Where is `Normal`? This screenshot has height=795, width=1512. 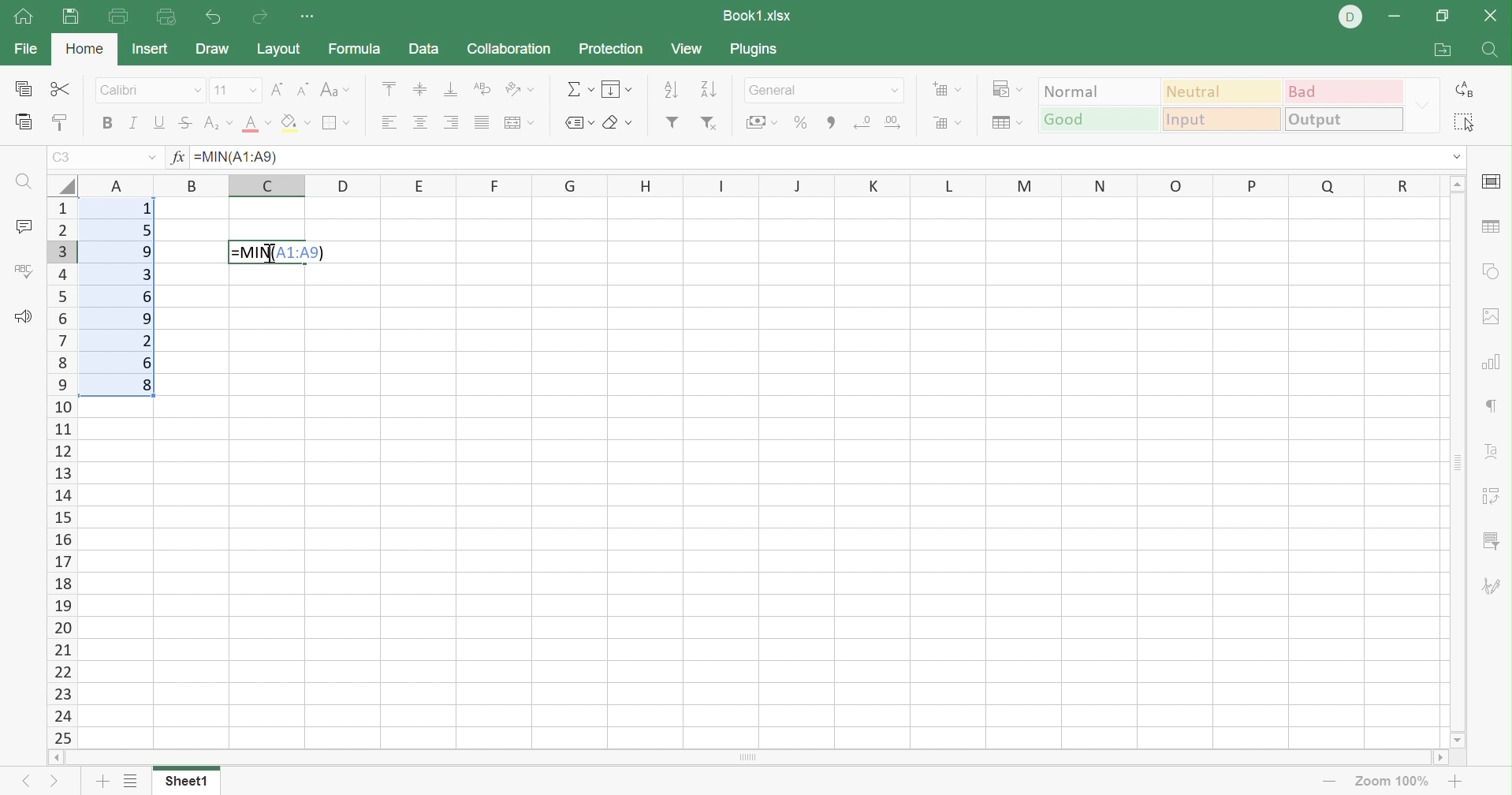
Normal is located at coordinates (1100, 90).